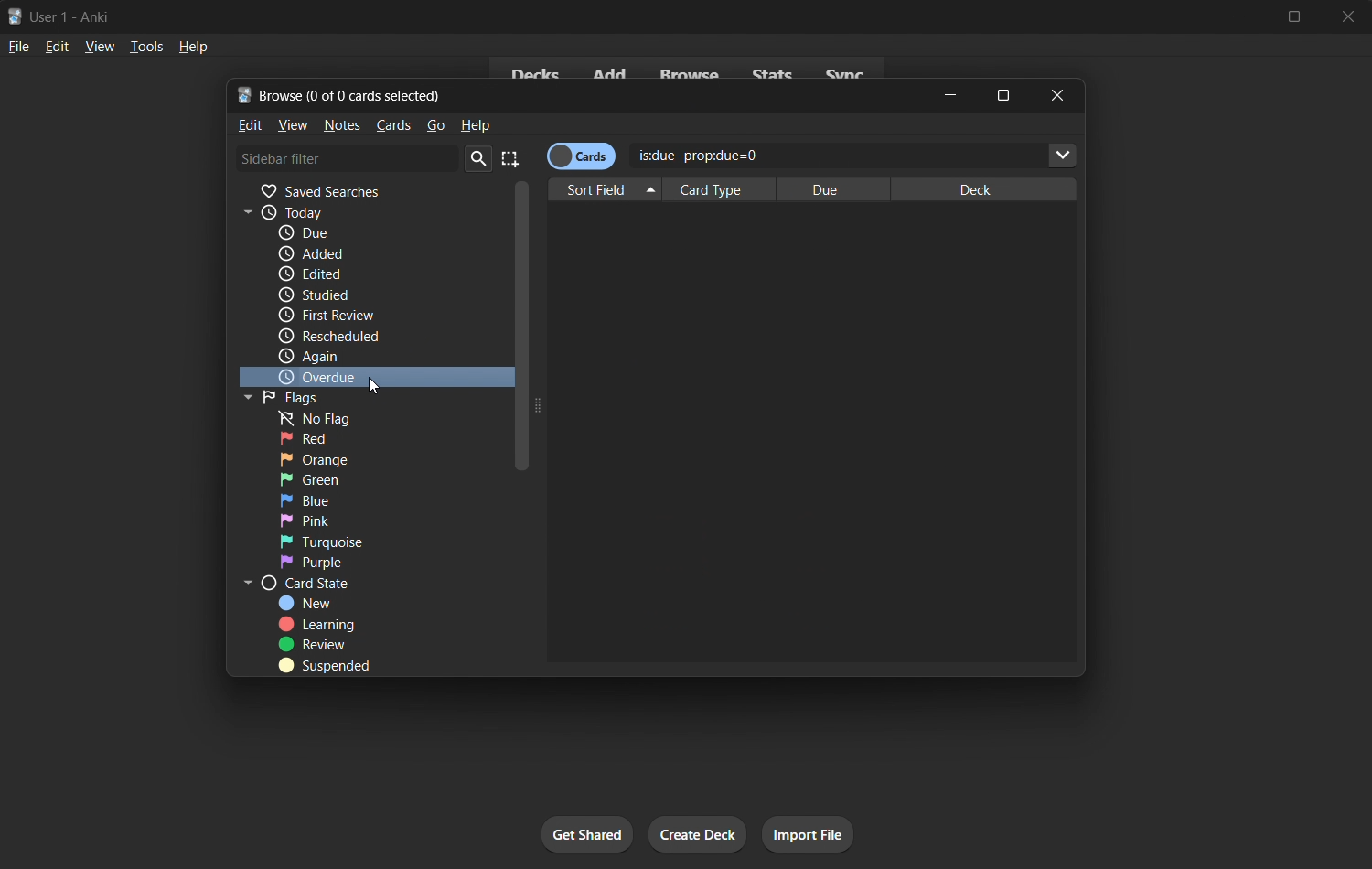  Describe the element at coordinates (477, 159) in the screenshot. I see `search` at that location.